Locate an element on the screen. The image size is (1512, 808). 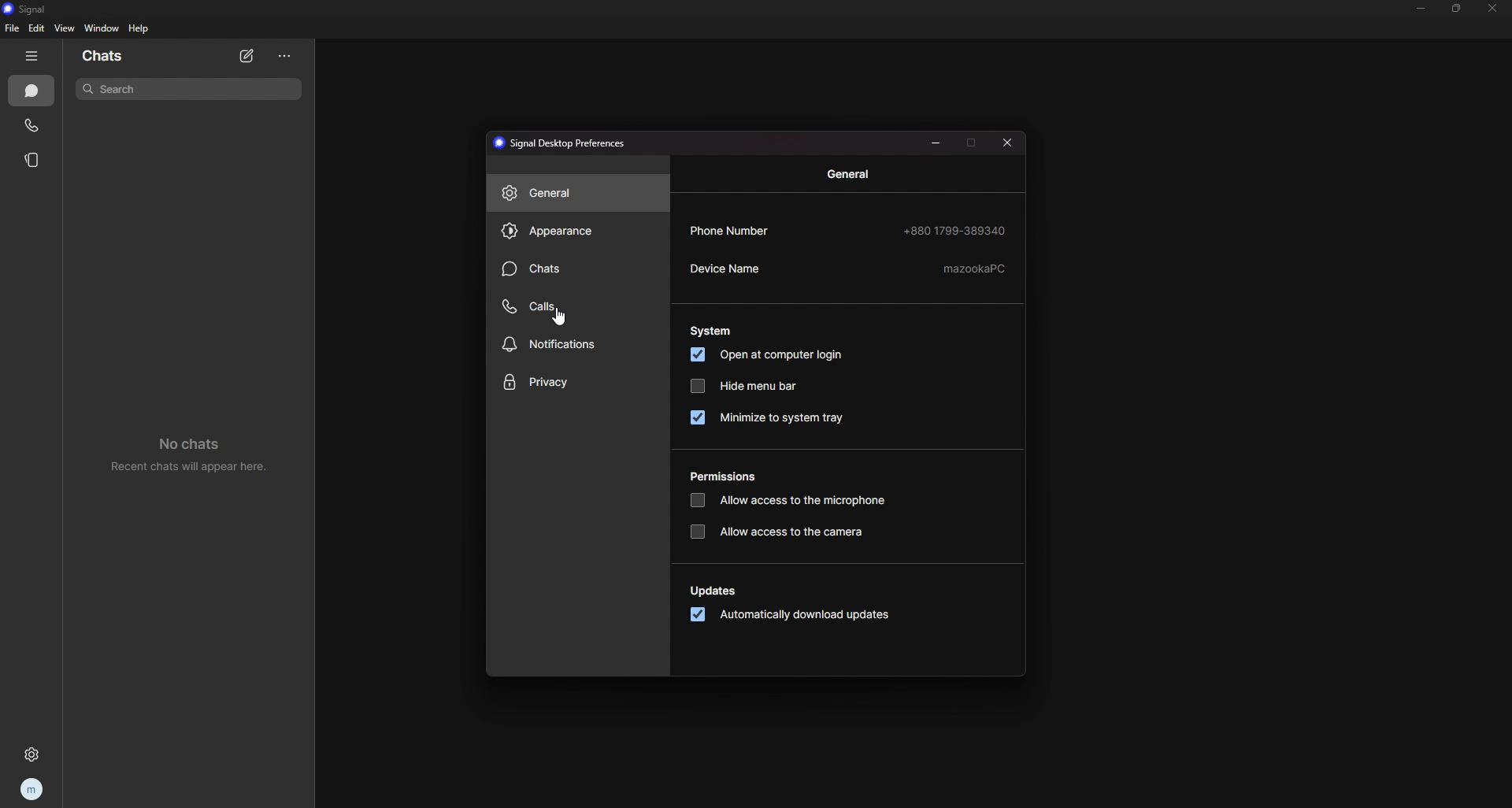
maximize is located at coordinates (973, 142).